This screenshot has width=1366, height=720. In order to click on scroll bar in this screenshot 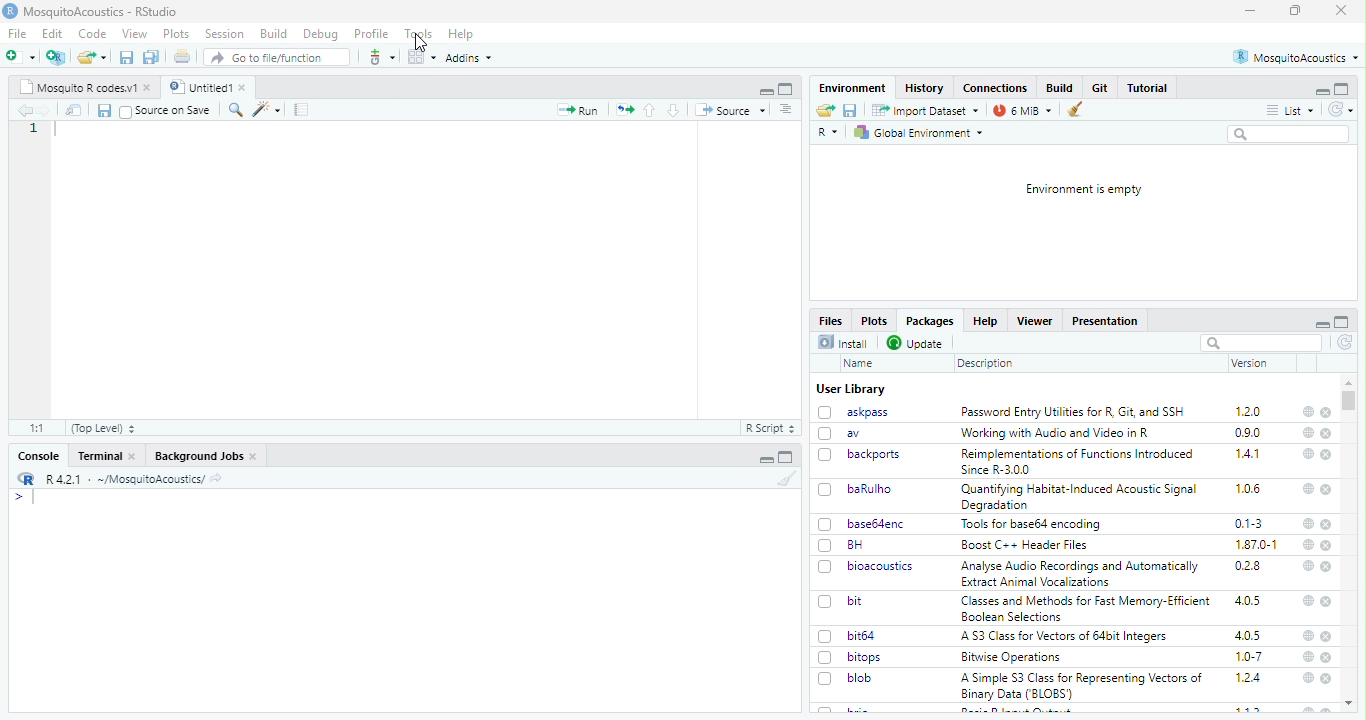, I will do `click(1348, 401)`.